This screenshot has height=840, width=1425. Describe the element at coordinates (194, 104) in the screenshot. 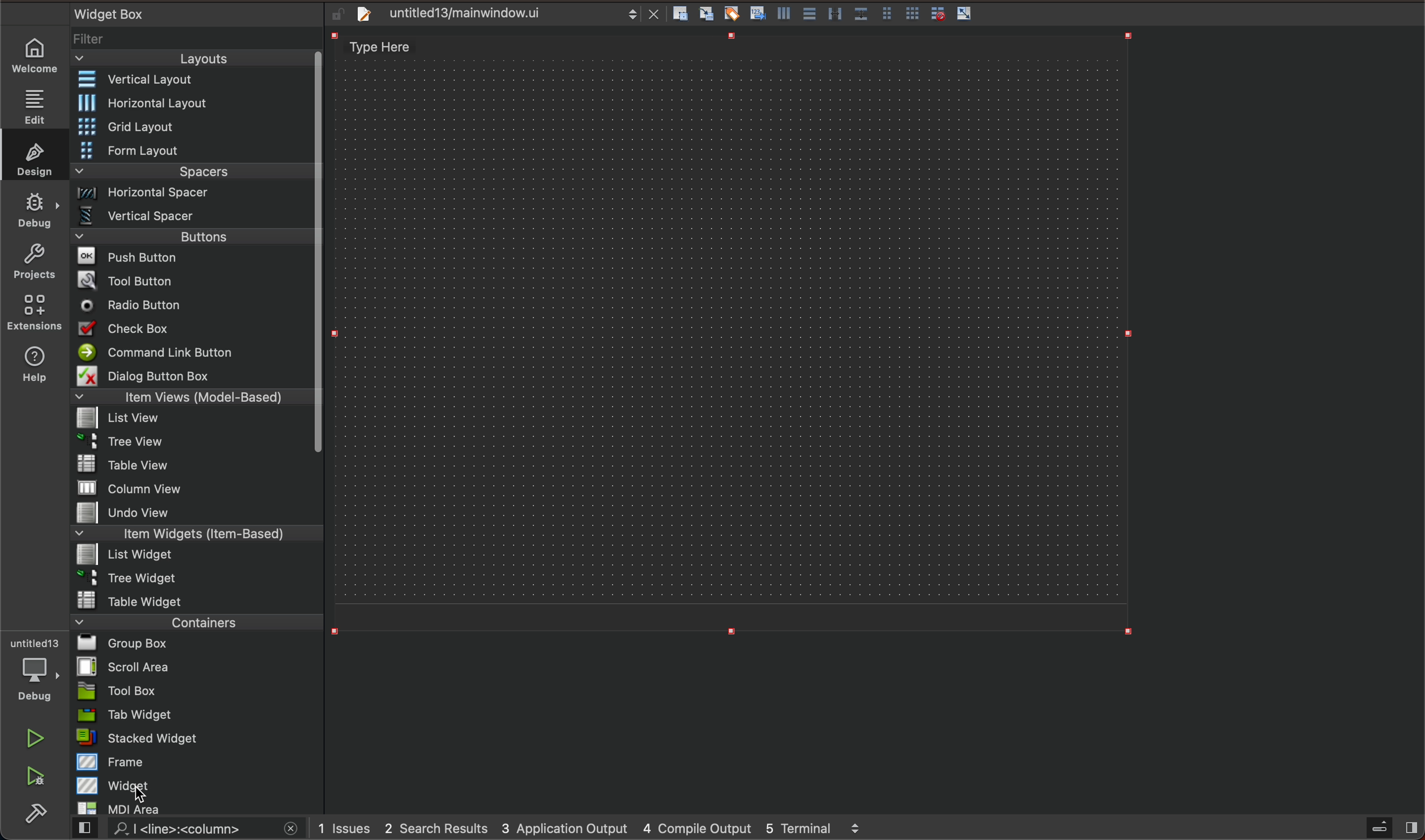

I see `Horizontal layout` at that location.